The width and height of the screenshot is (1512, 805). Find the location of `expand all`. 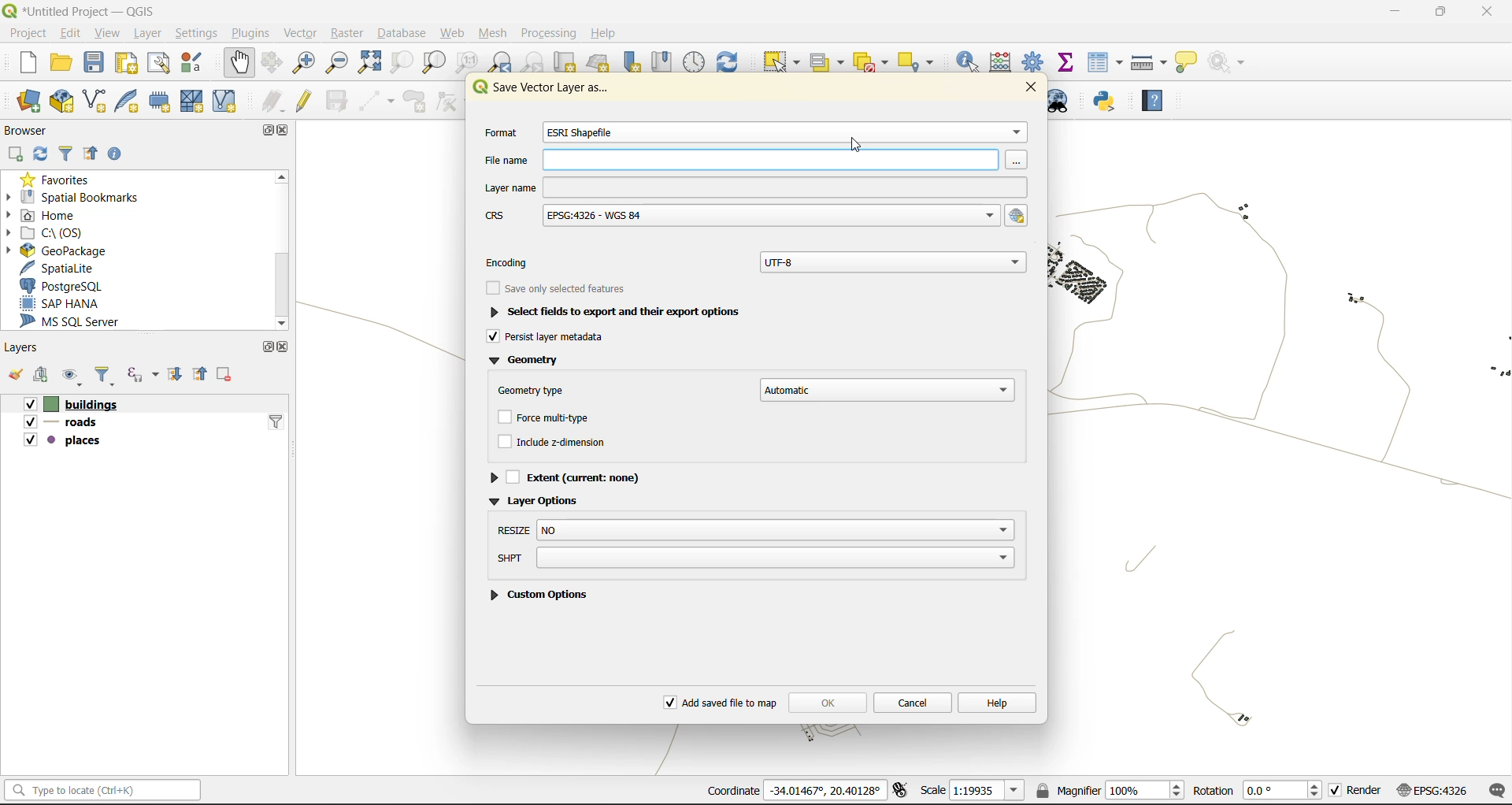

expand all is located at coordinates (180, 375).